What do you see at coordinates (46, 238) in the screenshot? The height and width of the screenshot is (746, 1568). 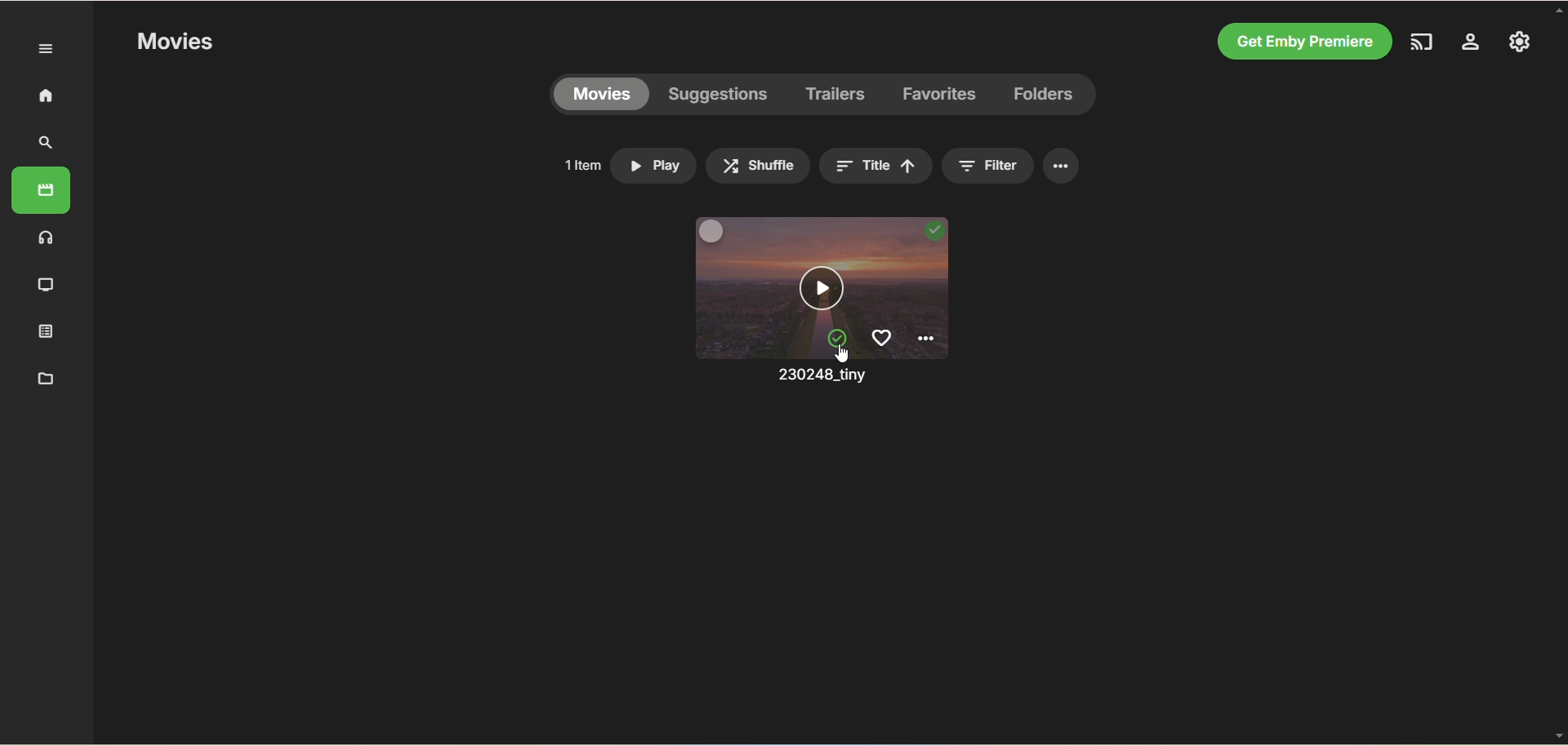 I see `music` at bounding box center [46, 238].